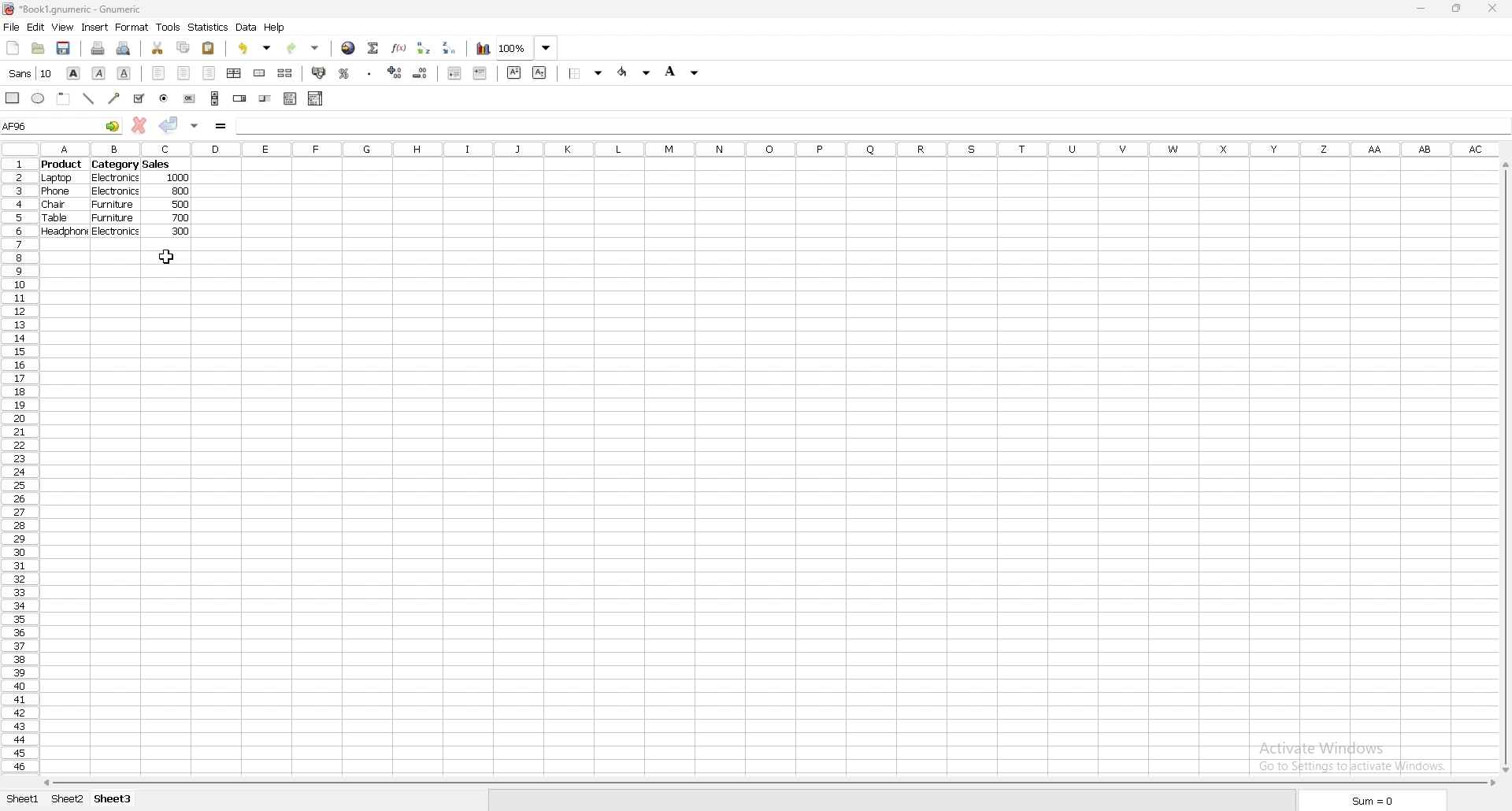 This screenshot has width=1512, height=811. I want to click on column, so click(771, 149).